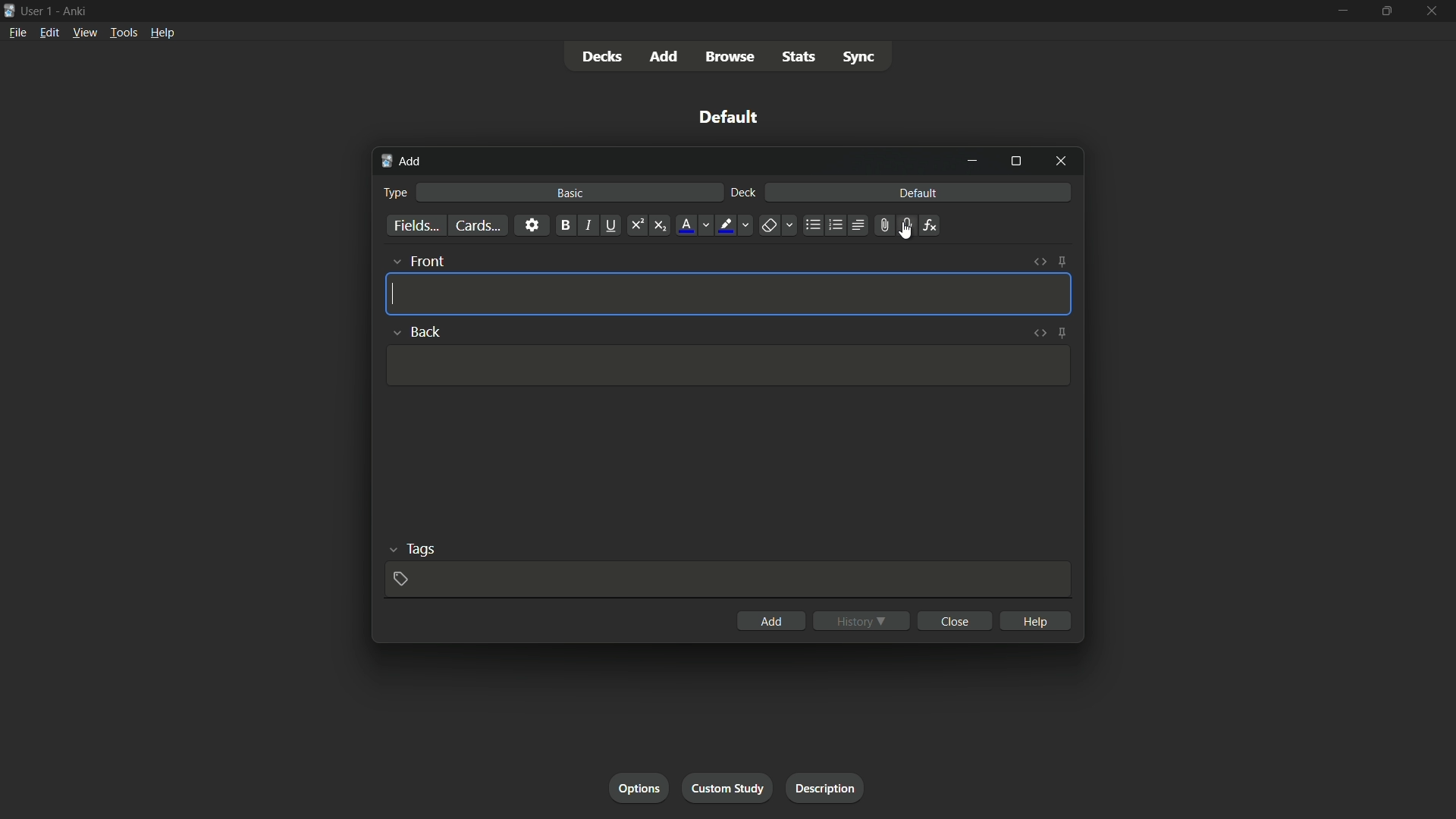 The width and height of the screenshot is (1456, 819). Describe the element at coordinates (570, 193) in the screenshot. I see `basic` at that location.